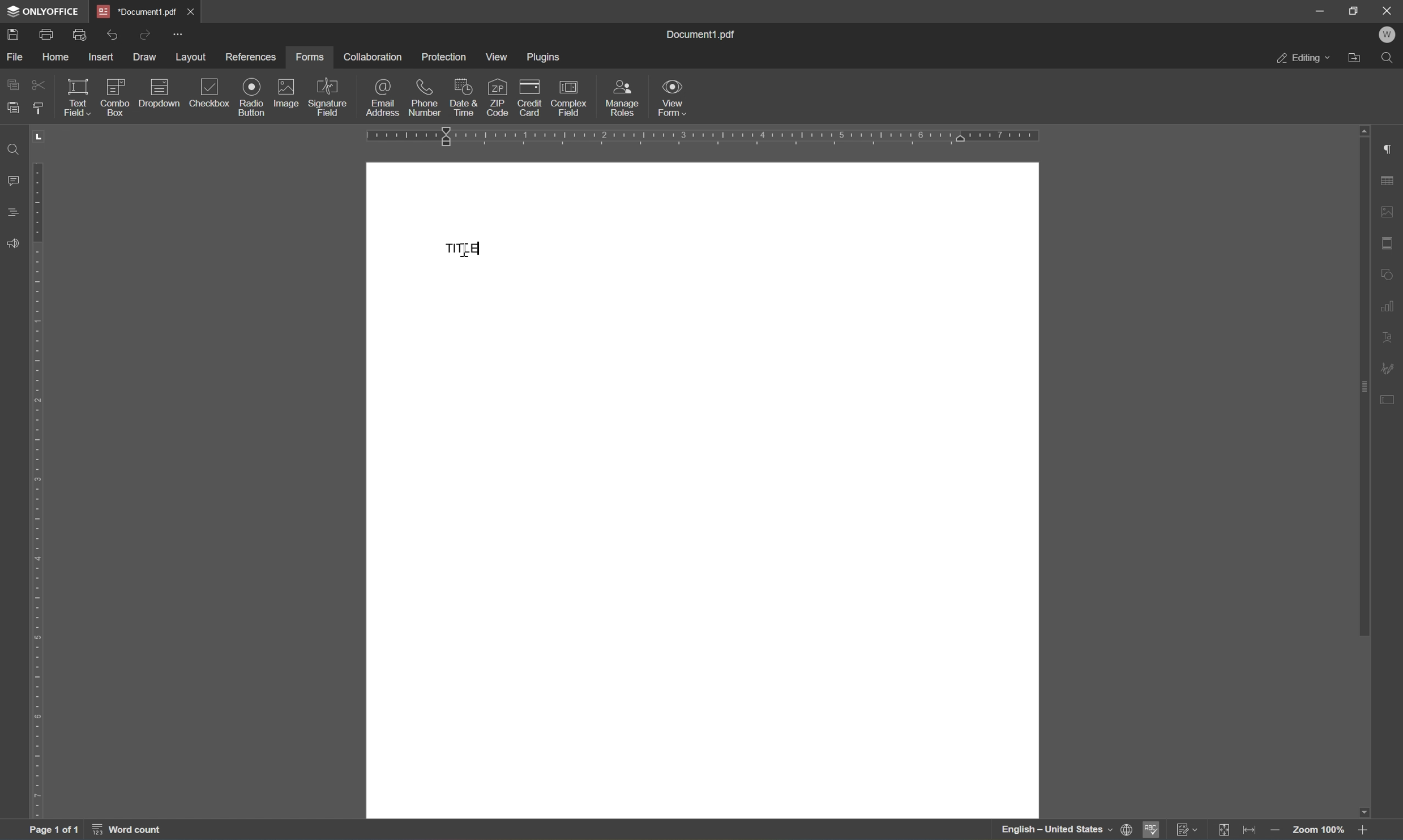 This screenshot has width=1403, height=840. What do you see at coordinates (1363, 381) in the screenshot?
I see `scroll bar` at bounding box center [1363, 381].